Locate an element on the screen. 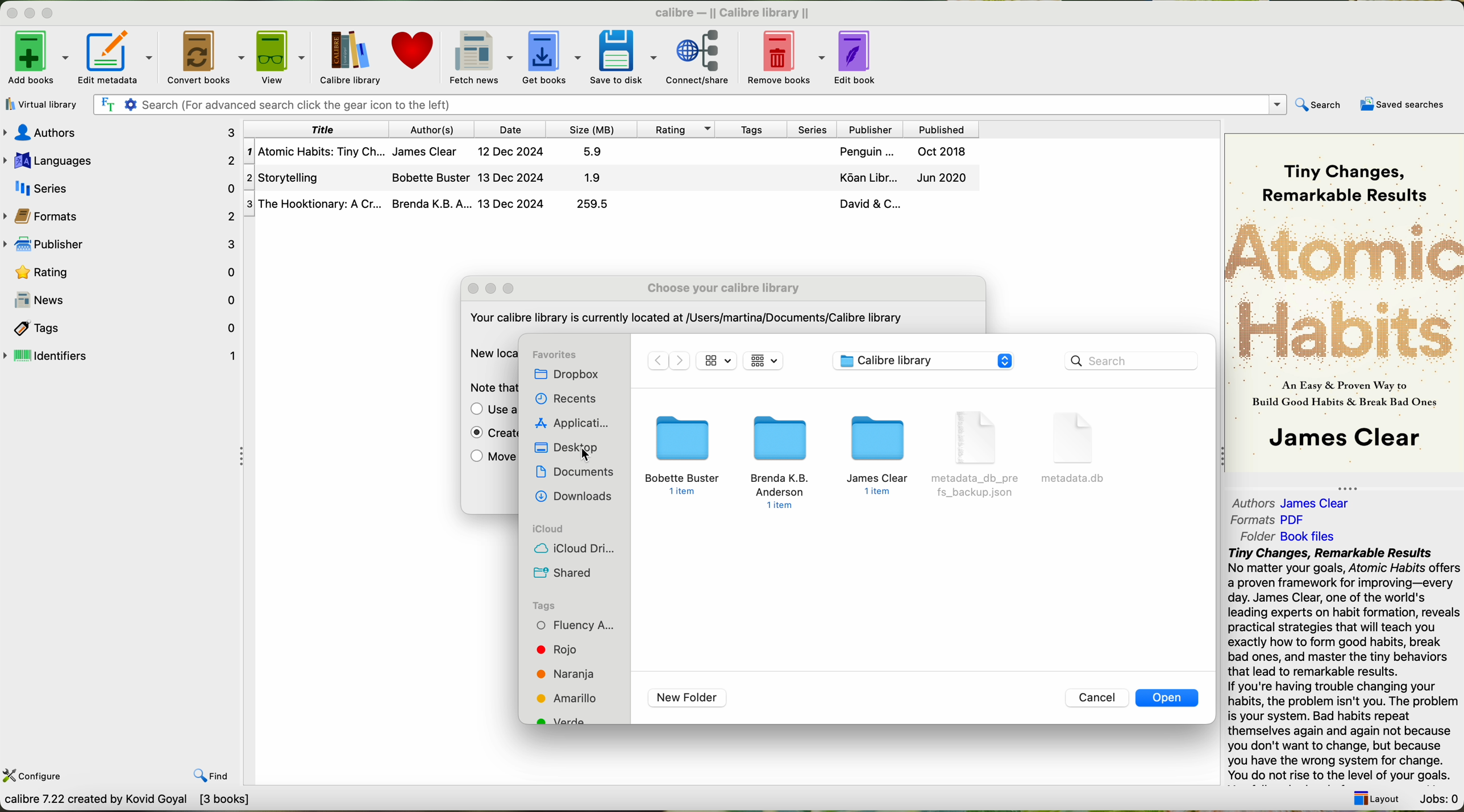  title is located at coordinates (318, 129).